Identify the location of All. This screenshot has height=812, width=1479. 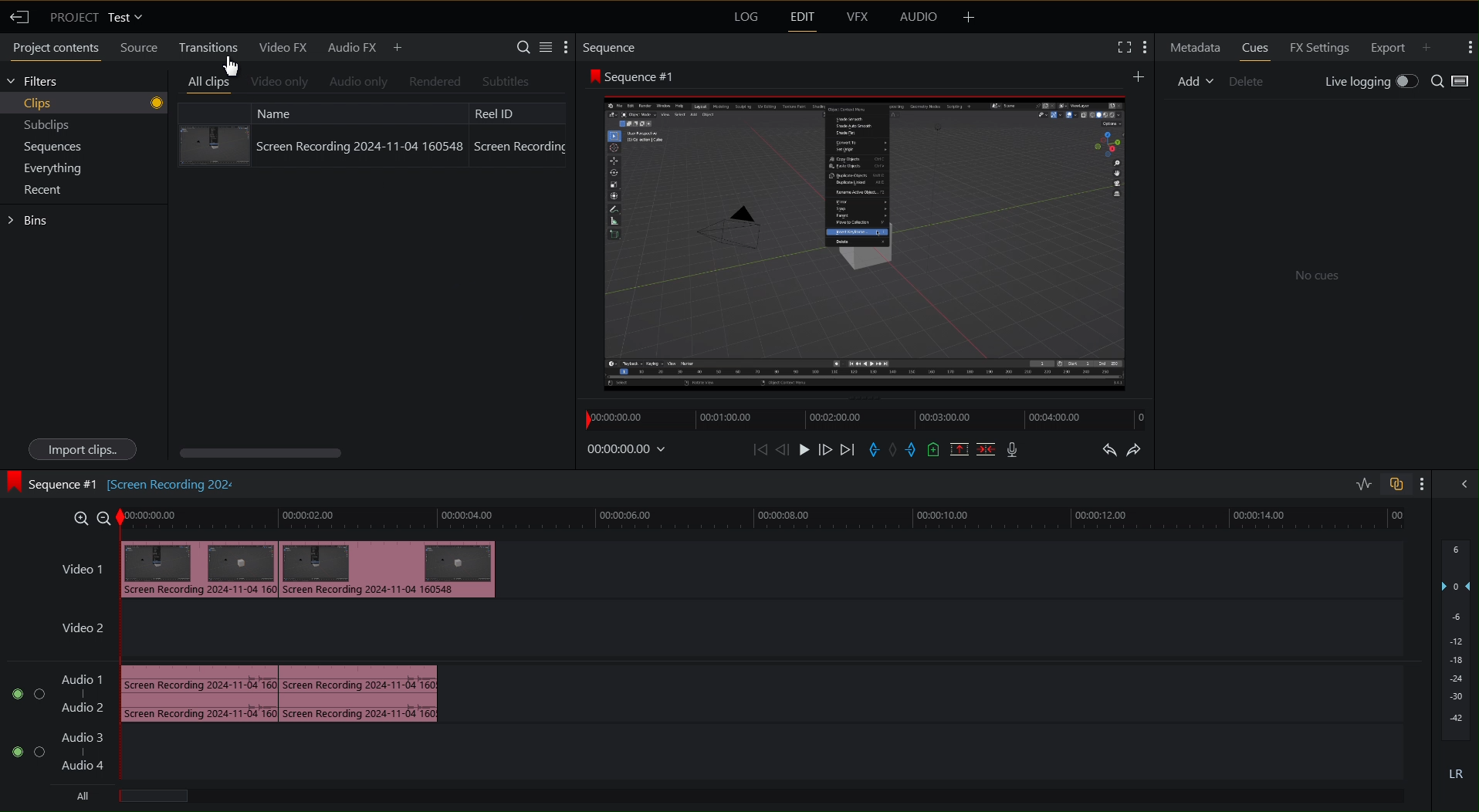
(81, 794).